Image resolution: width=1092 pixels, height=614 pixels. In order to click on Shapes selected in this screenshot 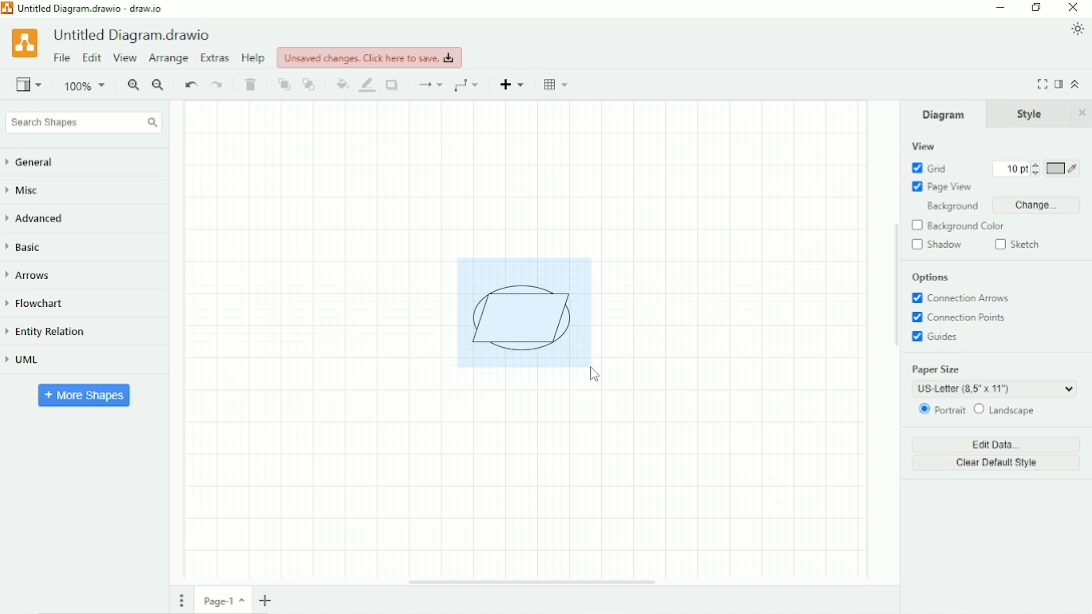, I will do `click(524, 311)`.